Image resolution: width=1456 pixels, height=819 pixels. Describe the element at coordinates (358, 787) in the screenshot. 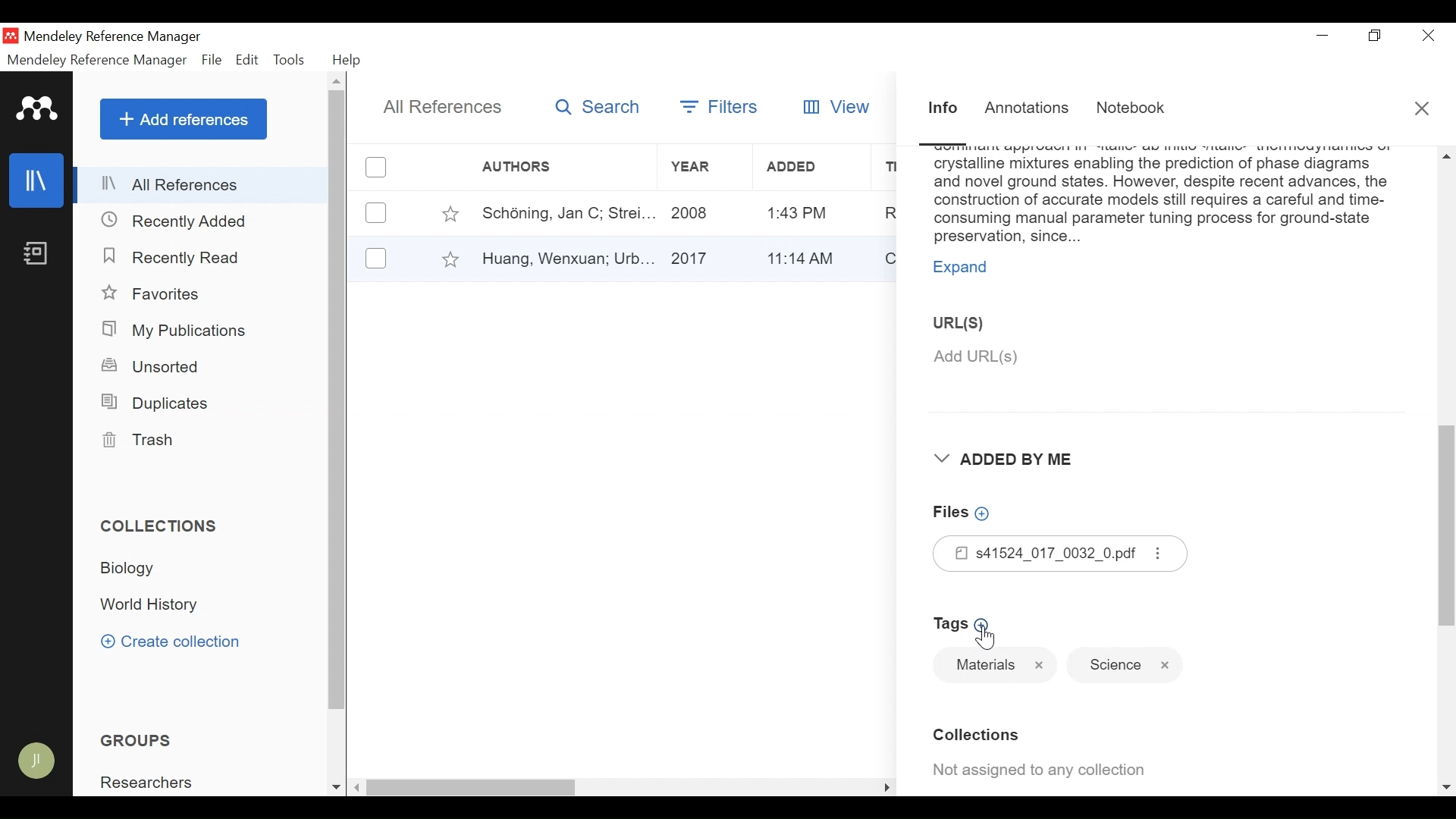

I see `Scroll left` at that location.